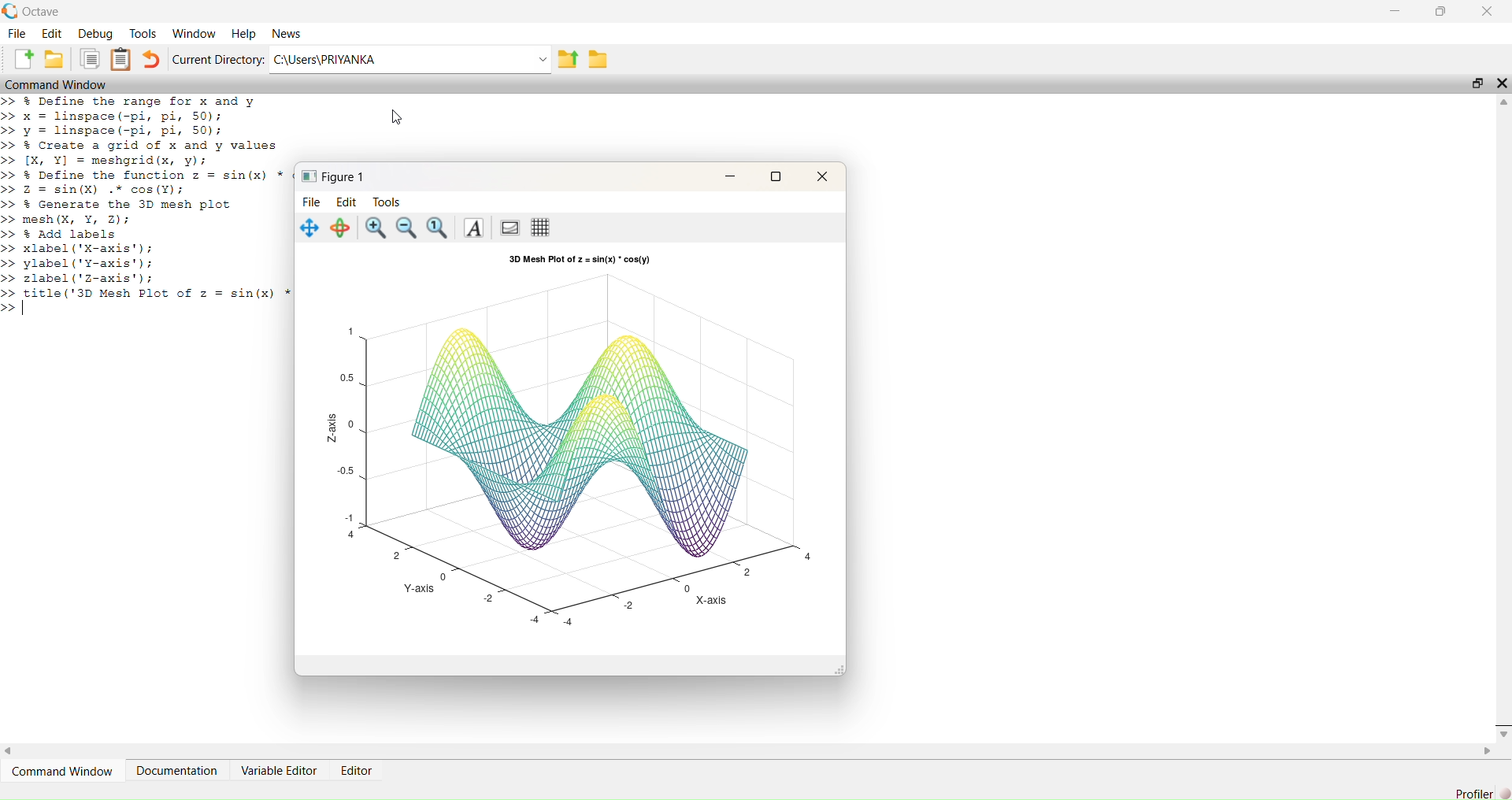 The height and width of the screenshot is (800, 1512). What do you see at coordinates (54, 59) in the screenshot?
I see `Open an existing file in editor` at bounding box center [54, 59].